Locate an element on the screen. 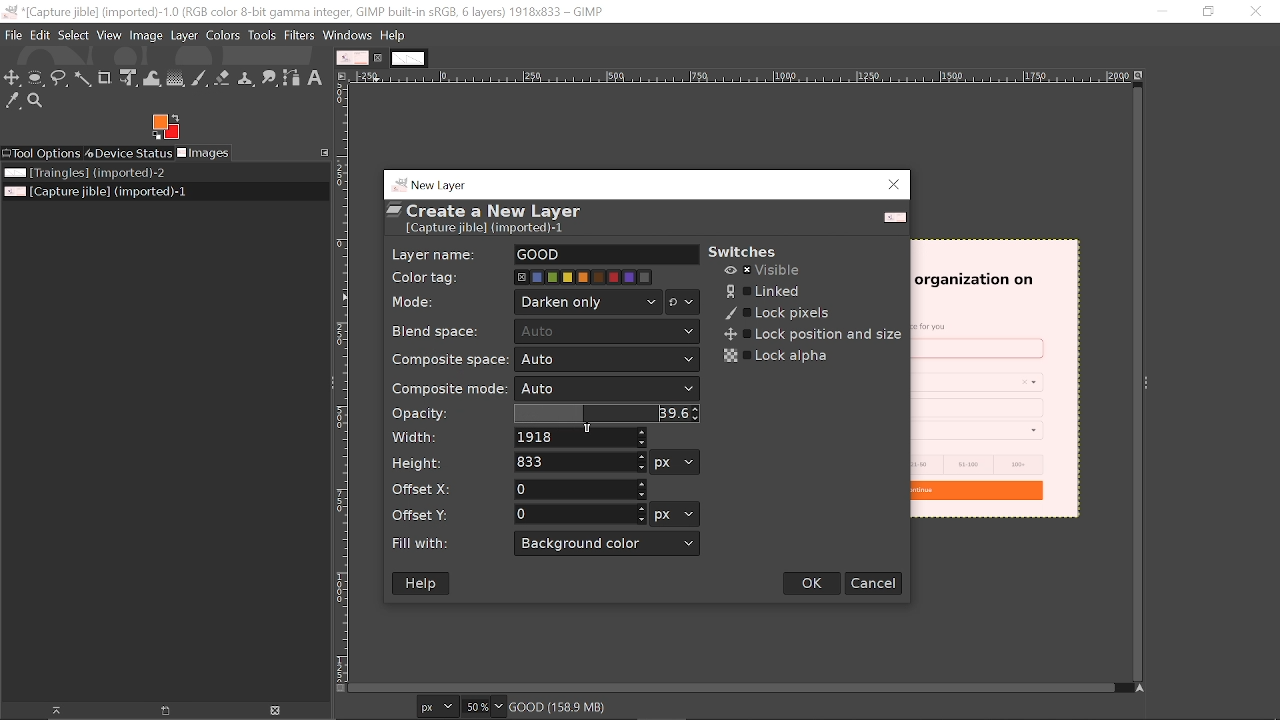 This screenshot has height=720, width=1280. Zoom options is located at coordinates (501, 706).